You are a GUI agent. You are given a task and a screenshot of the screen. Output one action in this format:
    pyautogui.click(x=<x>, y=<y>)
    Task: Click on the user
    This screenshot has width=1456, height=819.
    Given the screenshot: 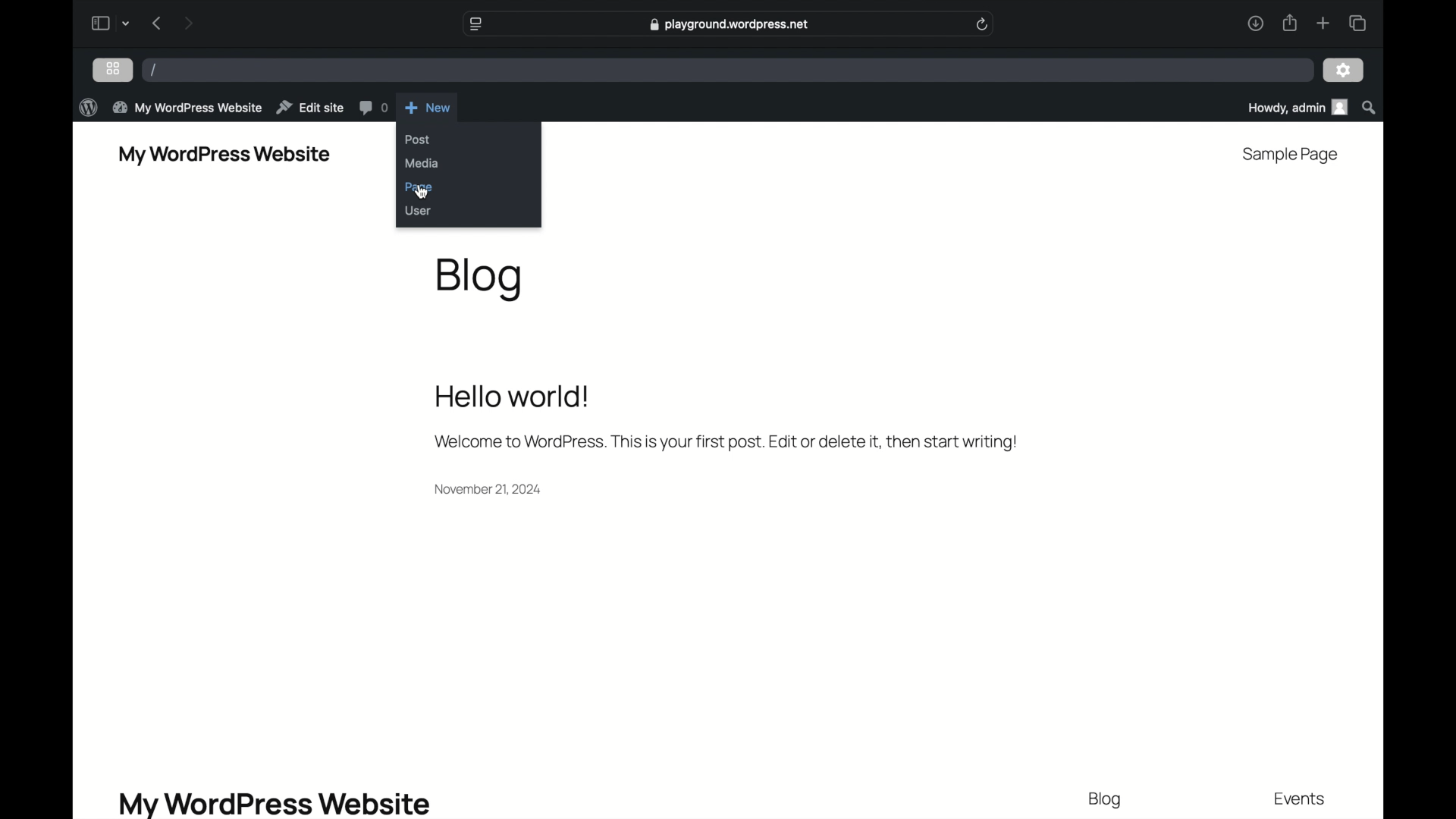 What is the action you would take?
    pyautogui.click(x=419, y=211)
    